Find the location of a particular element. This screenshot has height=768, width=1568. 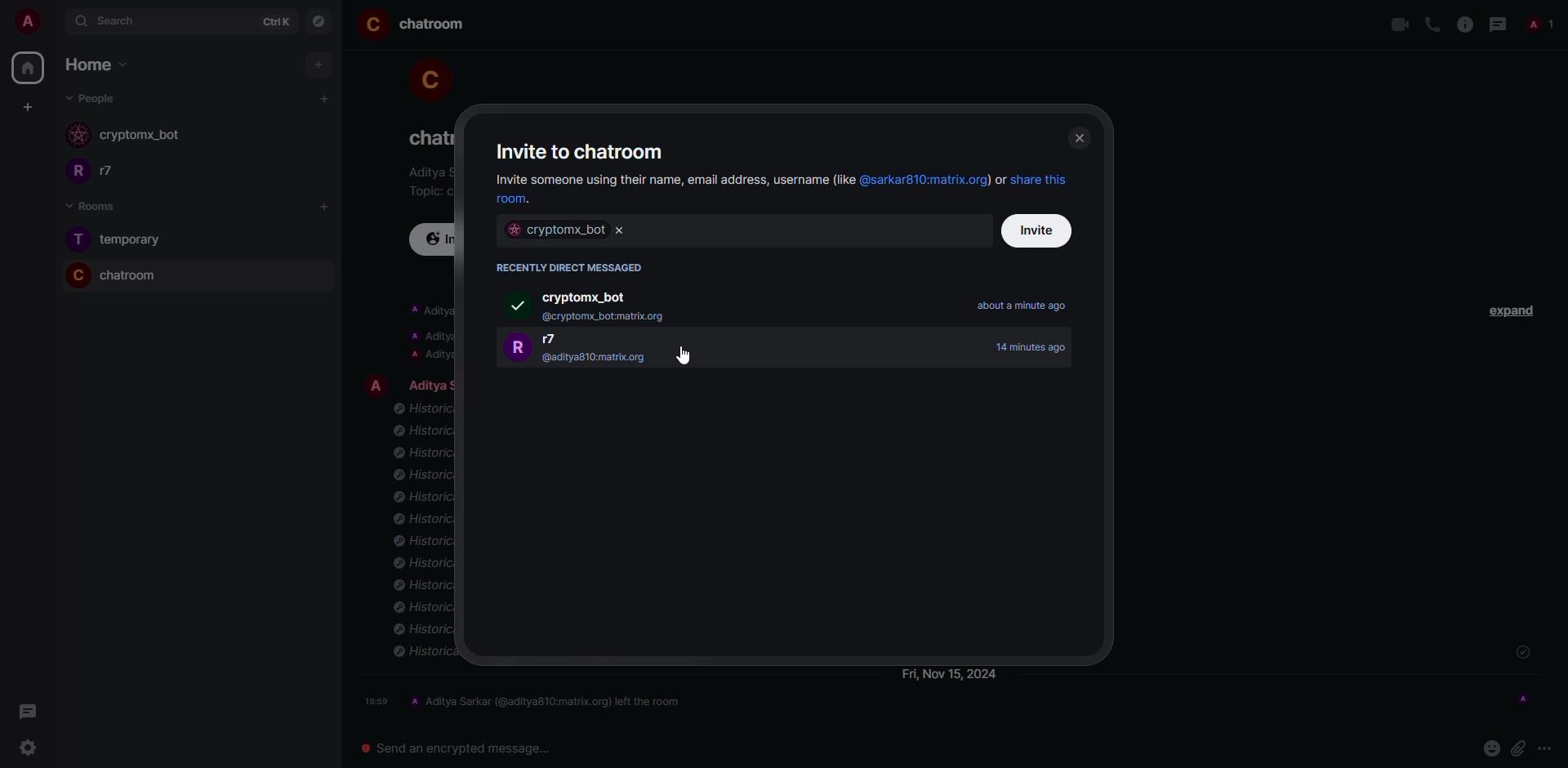

topic chat is located at coordinates (428, 190).